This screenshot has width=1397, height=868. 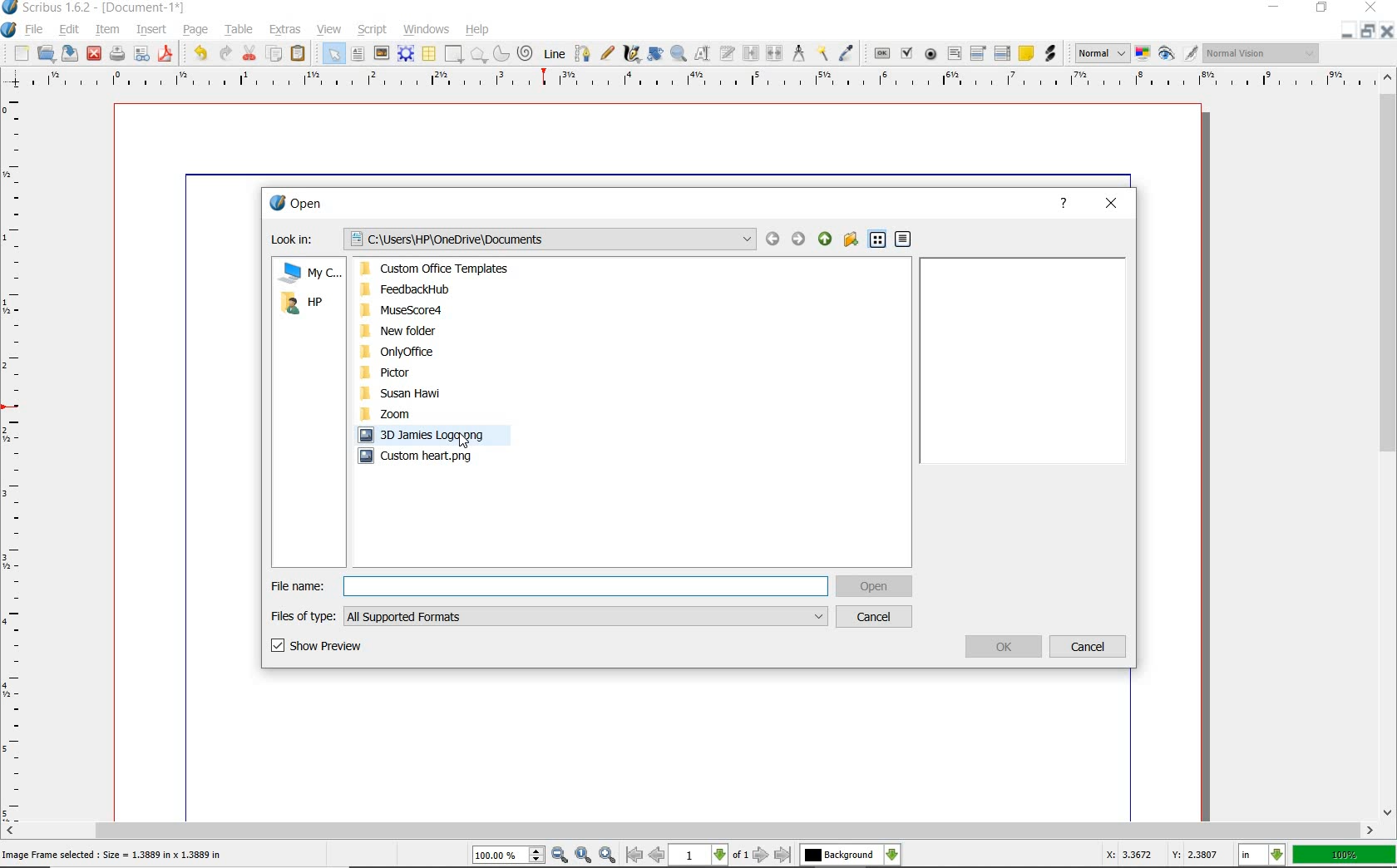 What do you see at coordinates (711, 856) in the screenshot?
I see `1 of 1` at bounding box center [711, 856].